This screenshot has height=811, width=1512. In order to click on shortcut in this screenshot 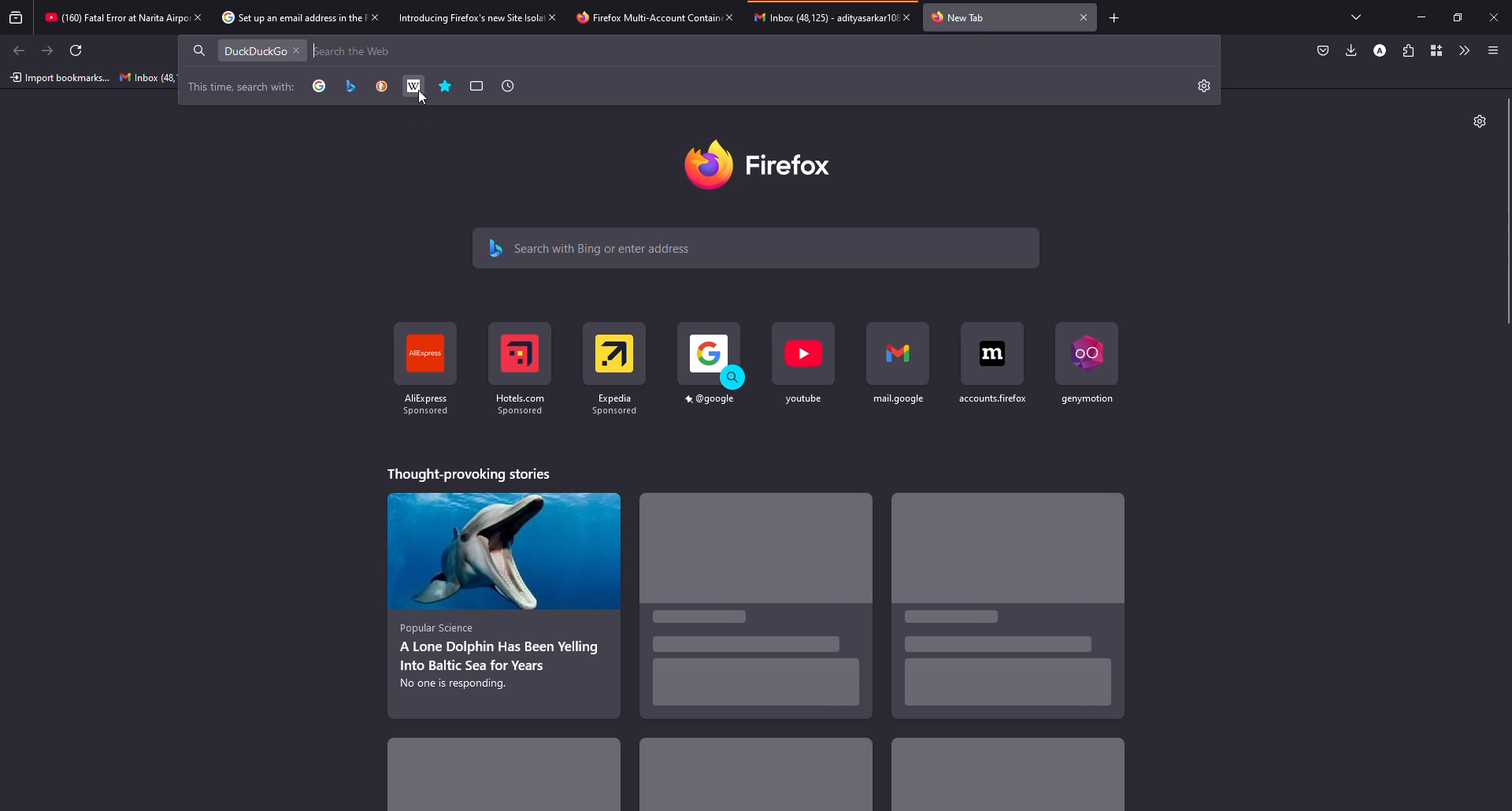, I will do `click(427, 367)`.